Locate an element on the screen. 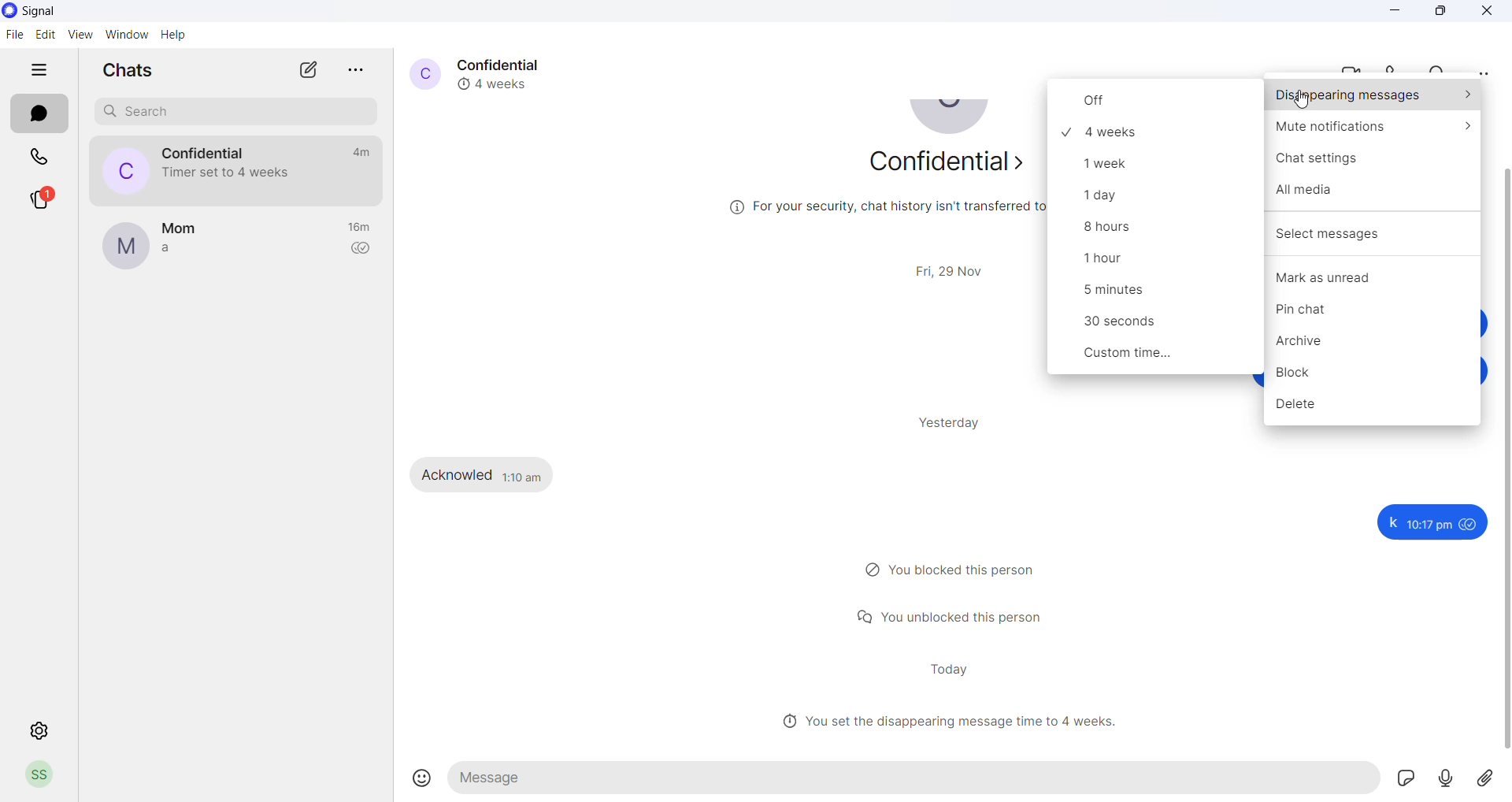 The width and height of the screenshot is (1512, 802). disable disappearing messages is located at coordinates (1157, 102).